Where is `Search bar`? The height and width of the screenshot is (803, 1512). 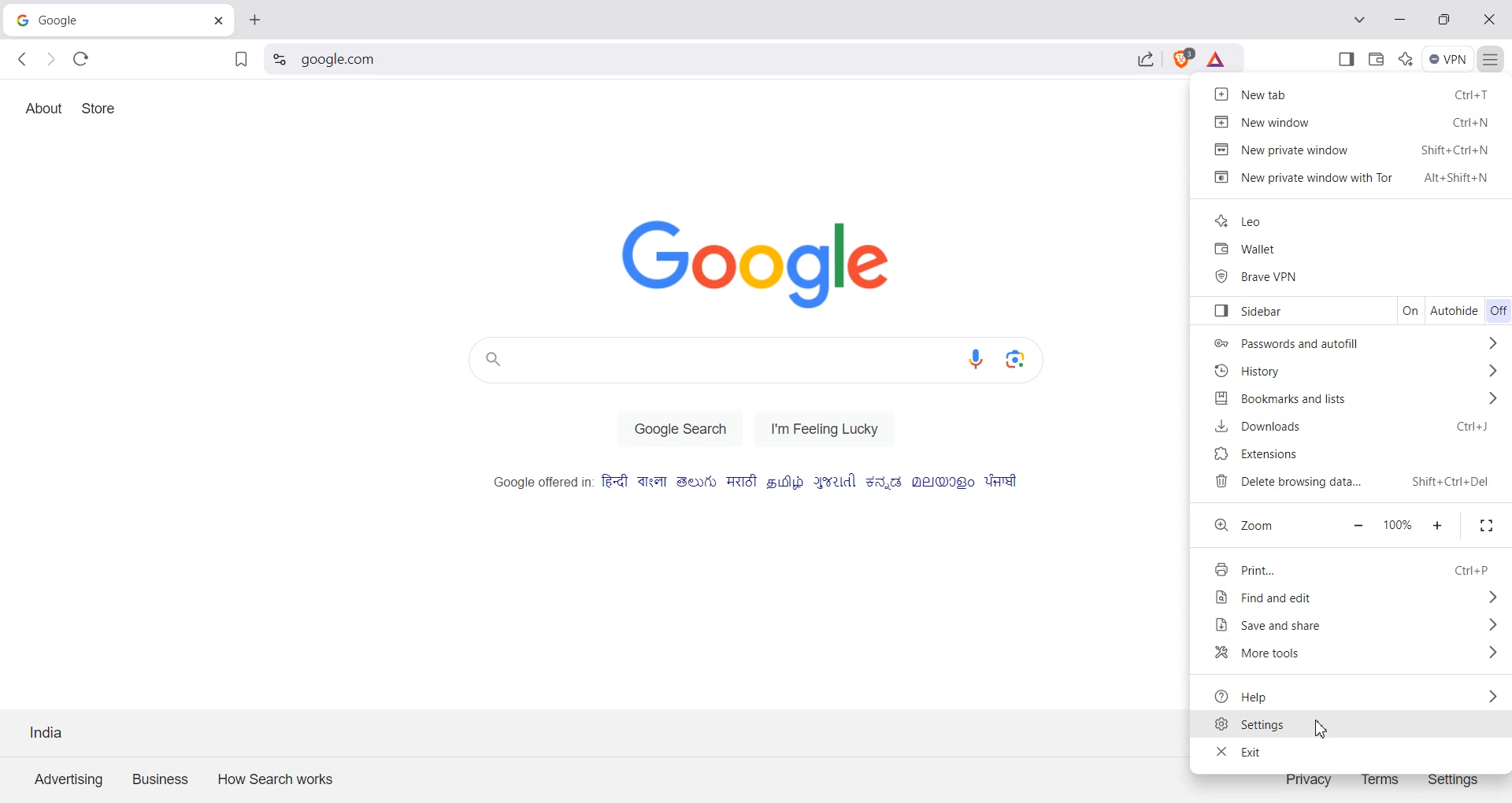 Search bar is located at coordinates (710, 360).